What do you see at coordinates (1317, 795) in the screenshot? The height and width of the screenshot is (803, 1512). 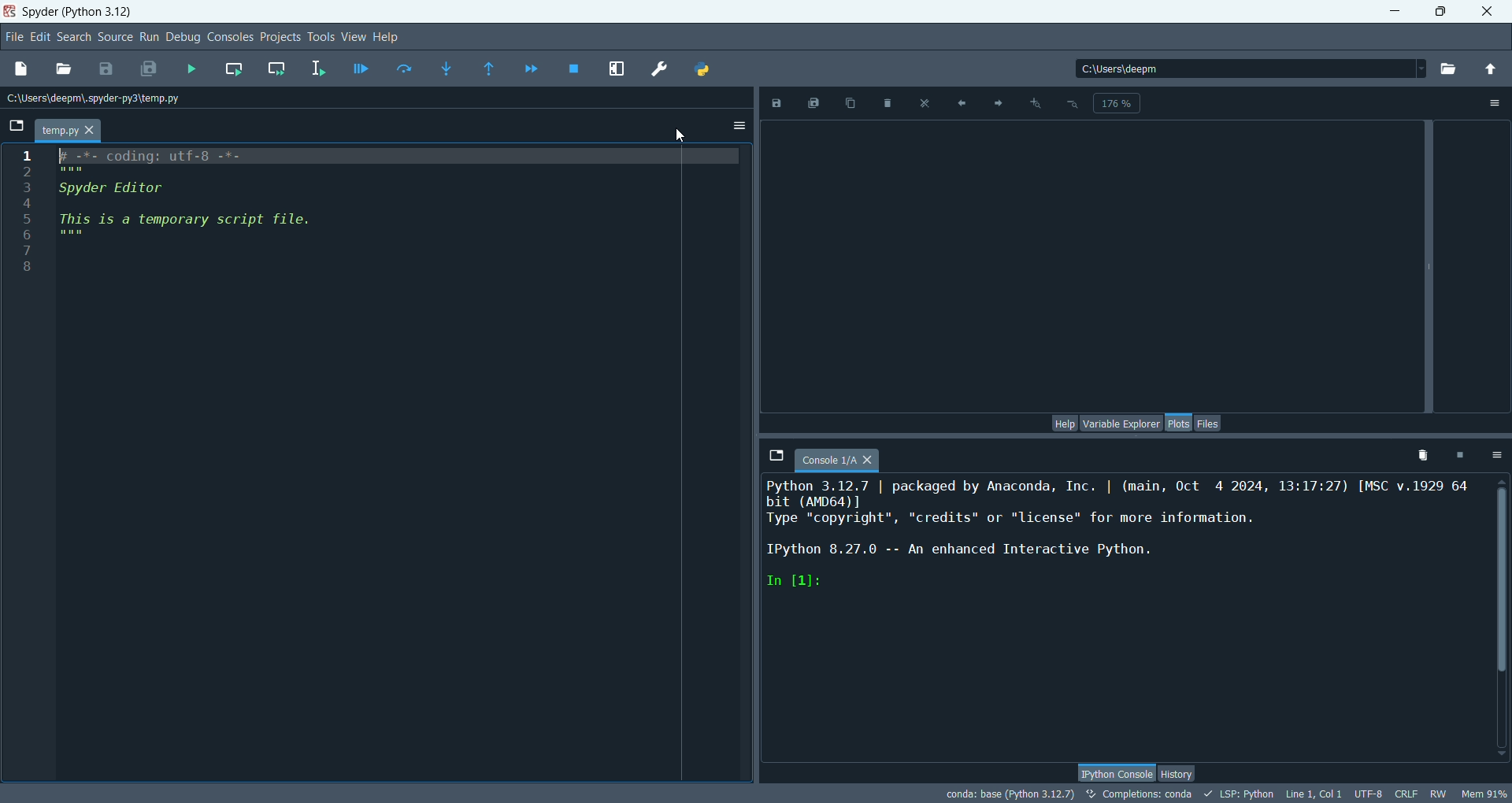 I see `line, col` at bounding box center [1317, 795].